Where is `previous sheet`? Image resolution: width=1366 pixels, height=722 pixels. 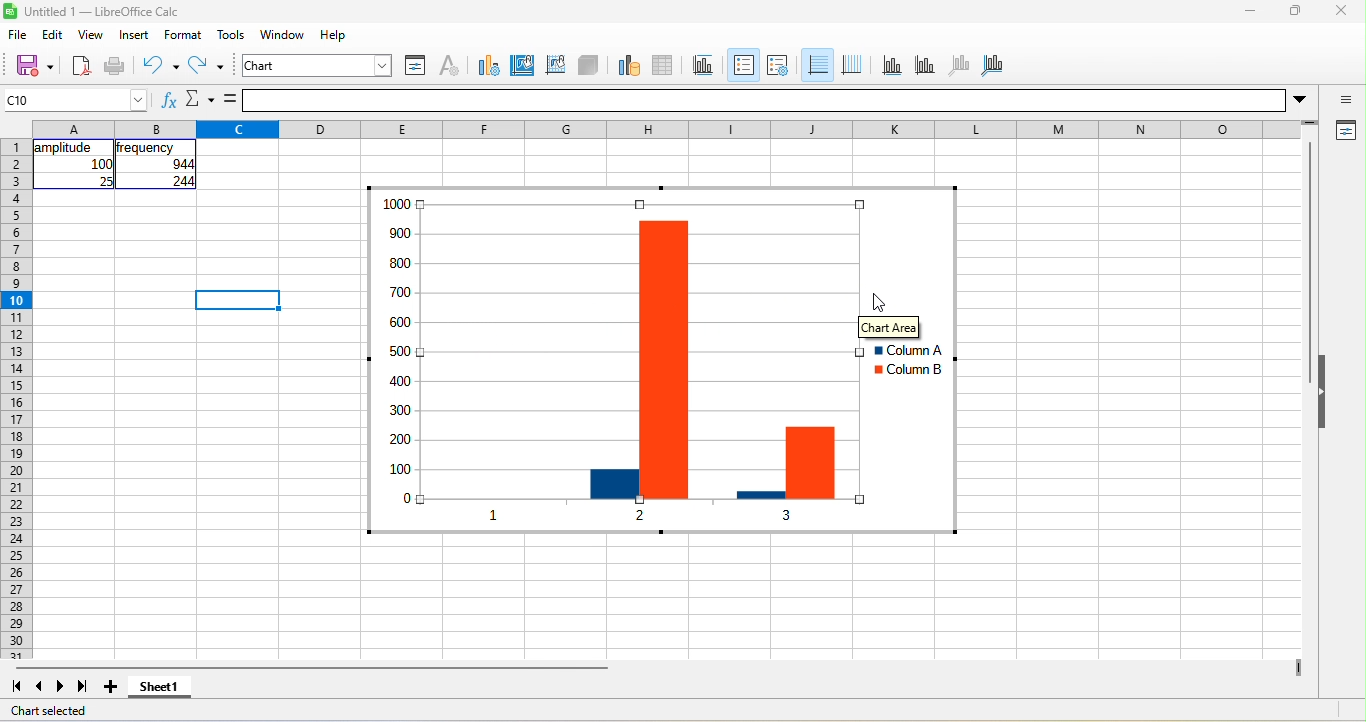
previous sheet is located at coordinates (35, 687).